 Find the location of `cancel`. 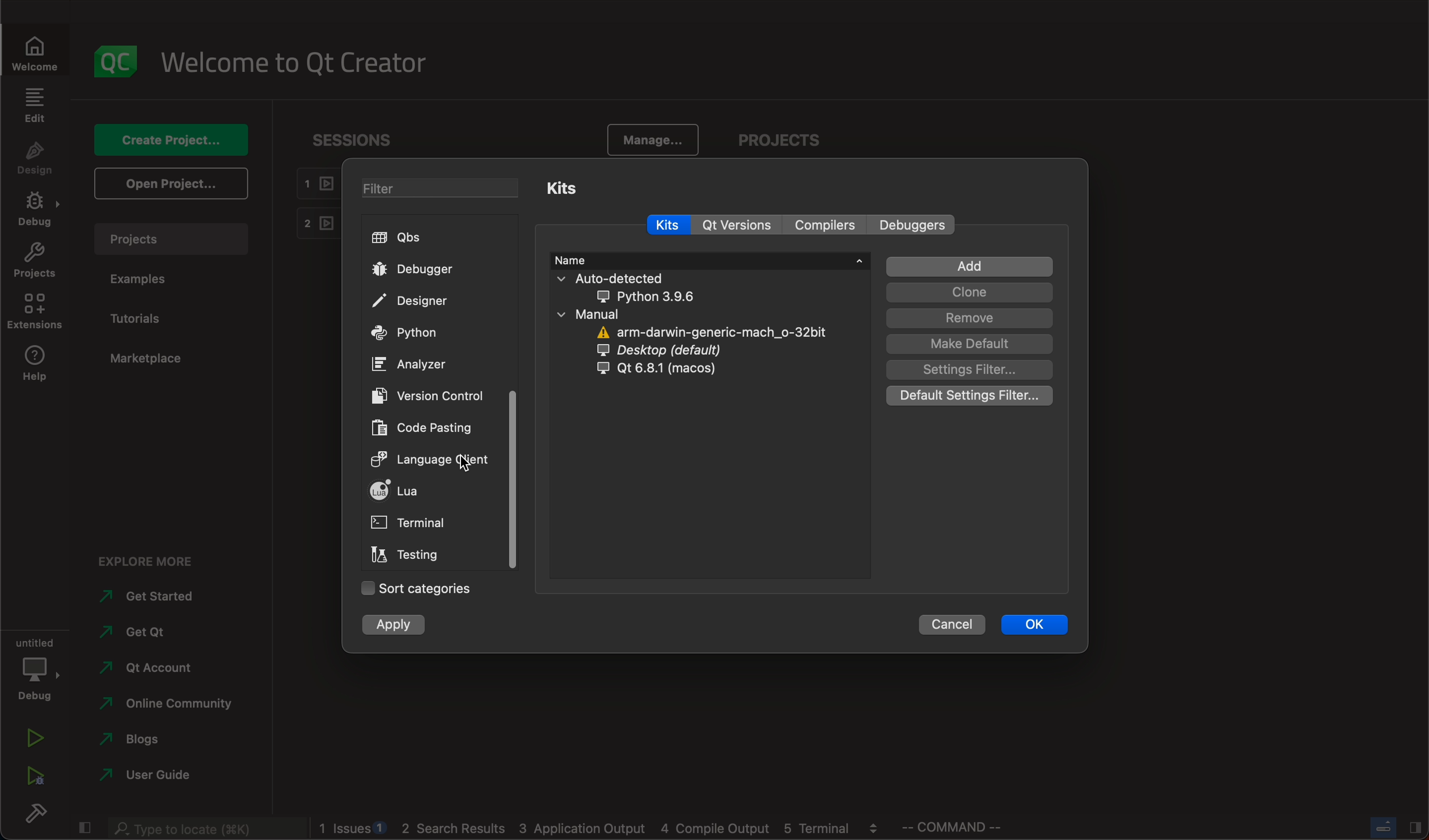

cancel is located at coordinates (952, 624).